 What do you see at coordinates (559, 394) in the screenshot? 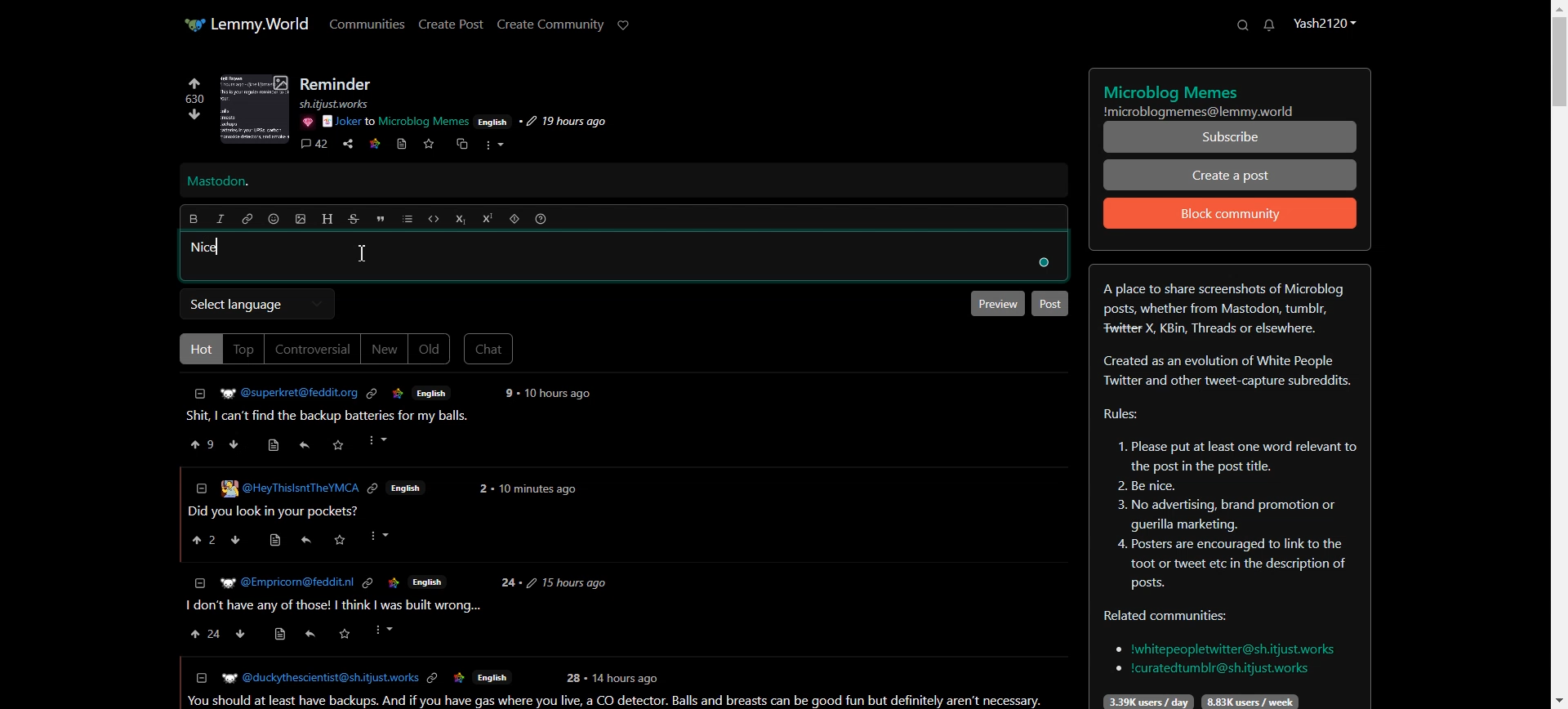
I see `10 hours ago` at bounding box center [559, 394].